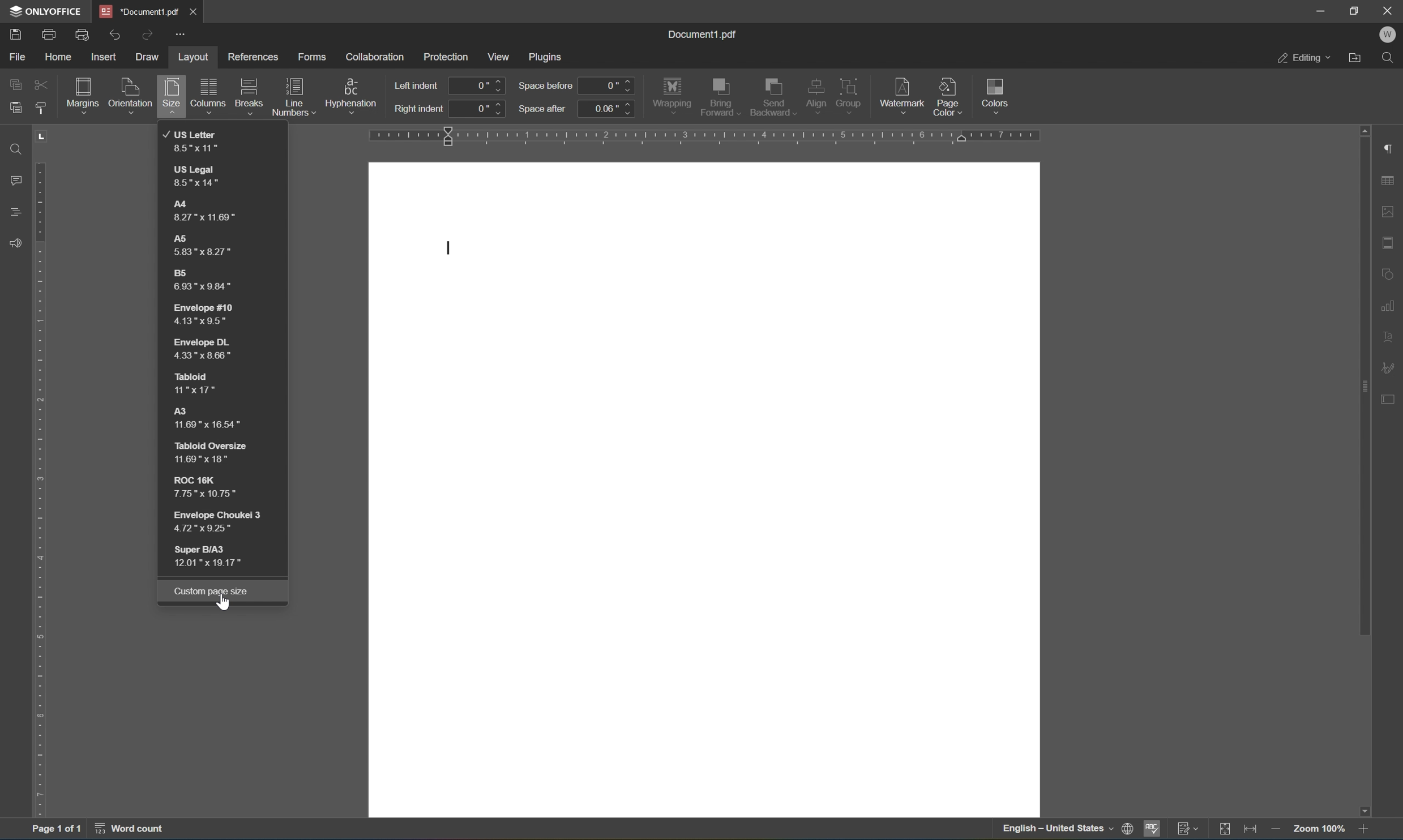  Describe the element at coordinates (222, 606) in the screenshot. I see `cursor` at that location.